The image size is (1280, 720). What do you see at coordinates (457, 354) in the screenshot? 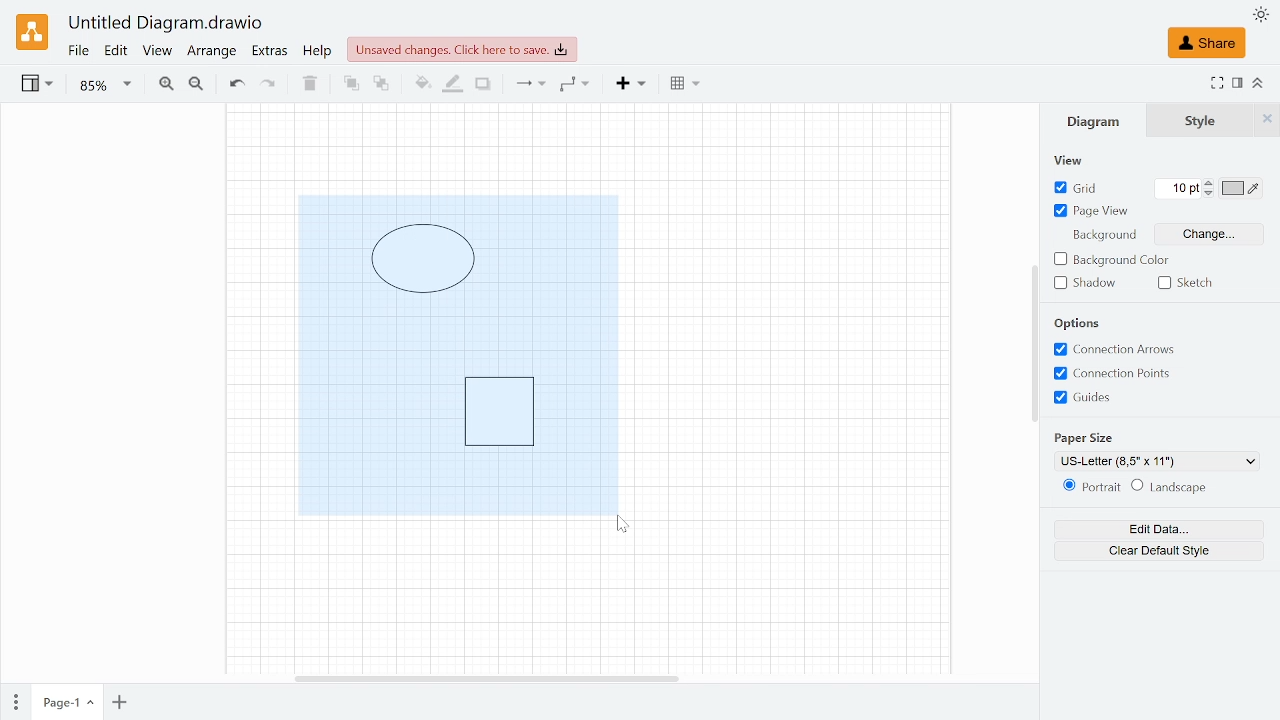
I see `Diagrams` at bounding box center [457, 354].